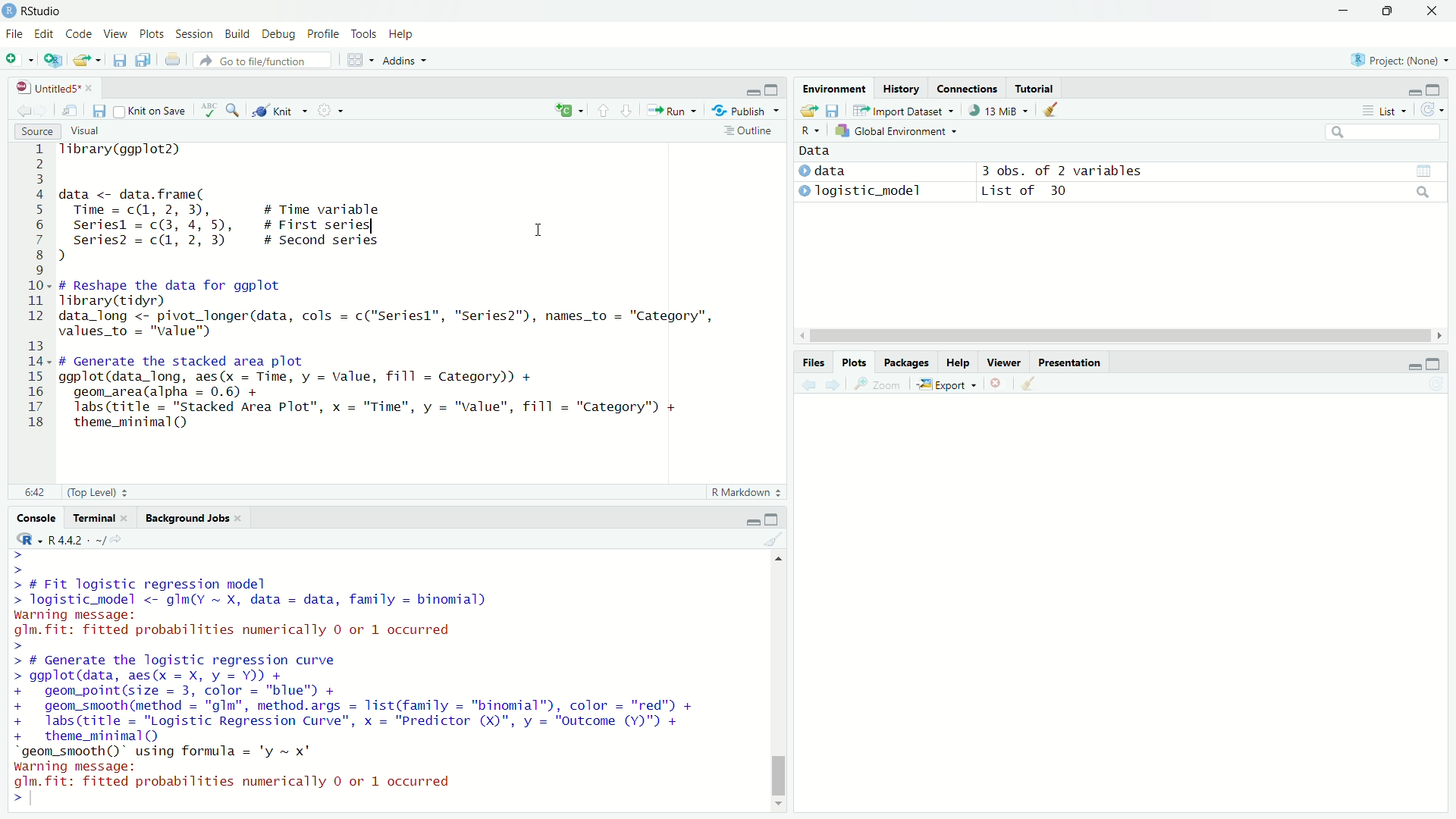 The width and height of the screenshot is (1456, 819). I want to click on - Publish, so click(742, 111).